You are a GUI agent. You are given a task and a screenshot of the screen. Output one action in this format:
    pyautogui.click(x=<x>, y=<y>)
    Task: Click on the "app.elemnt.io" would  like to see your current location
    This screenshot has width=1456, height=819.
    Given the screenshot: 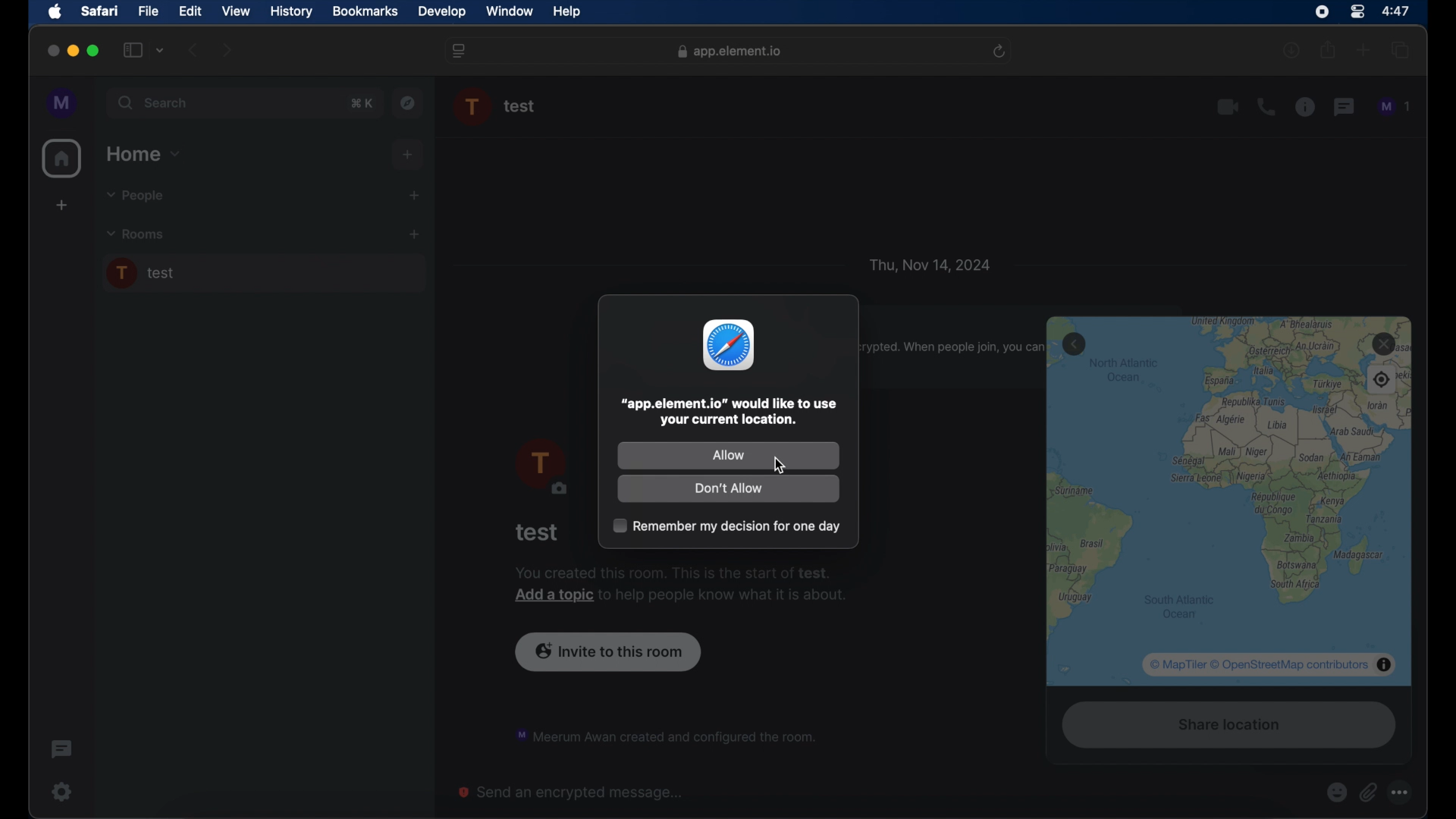 What is the action you would take?
    pyautogui.click(x=730, y=413)
    